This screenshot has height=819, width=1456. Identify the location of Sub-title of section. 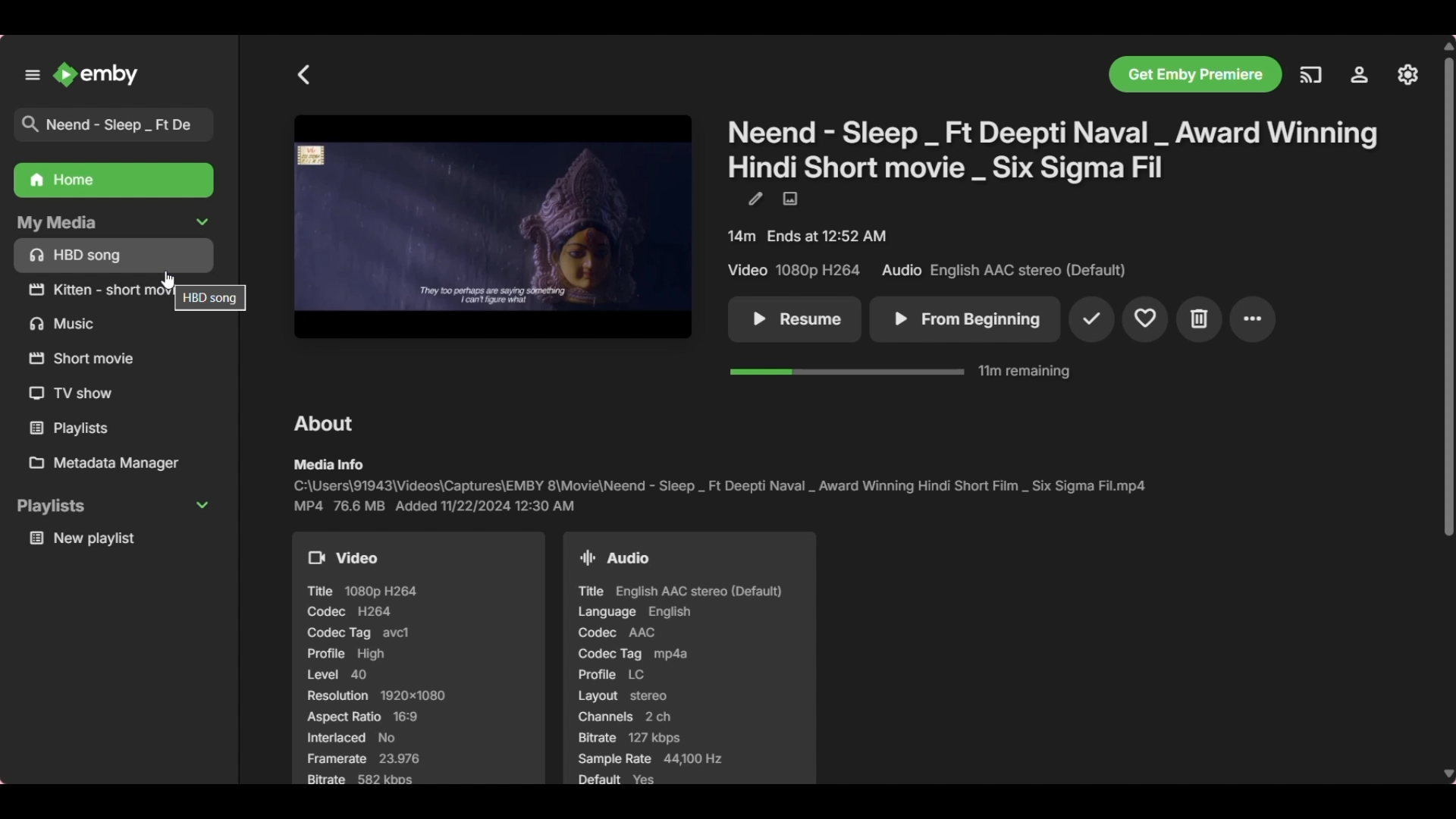
(328, 464).